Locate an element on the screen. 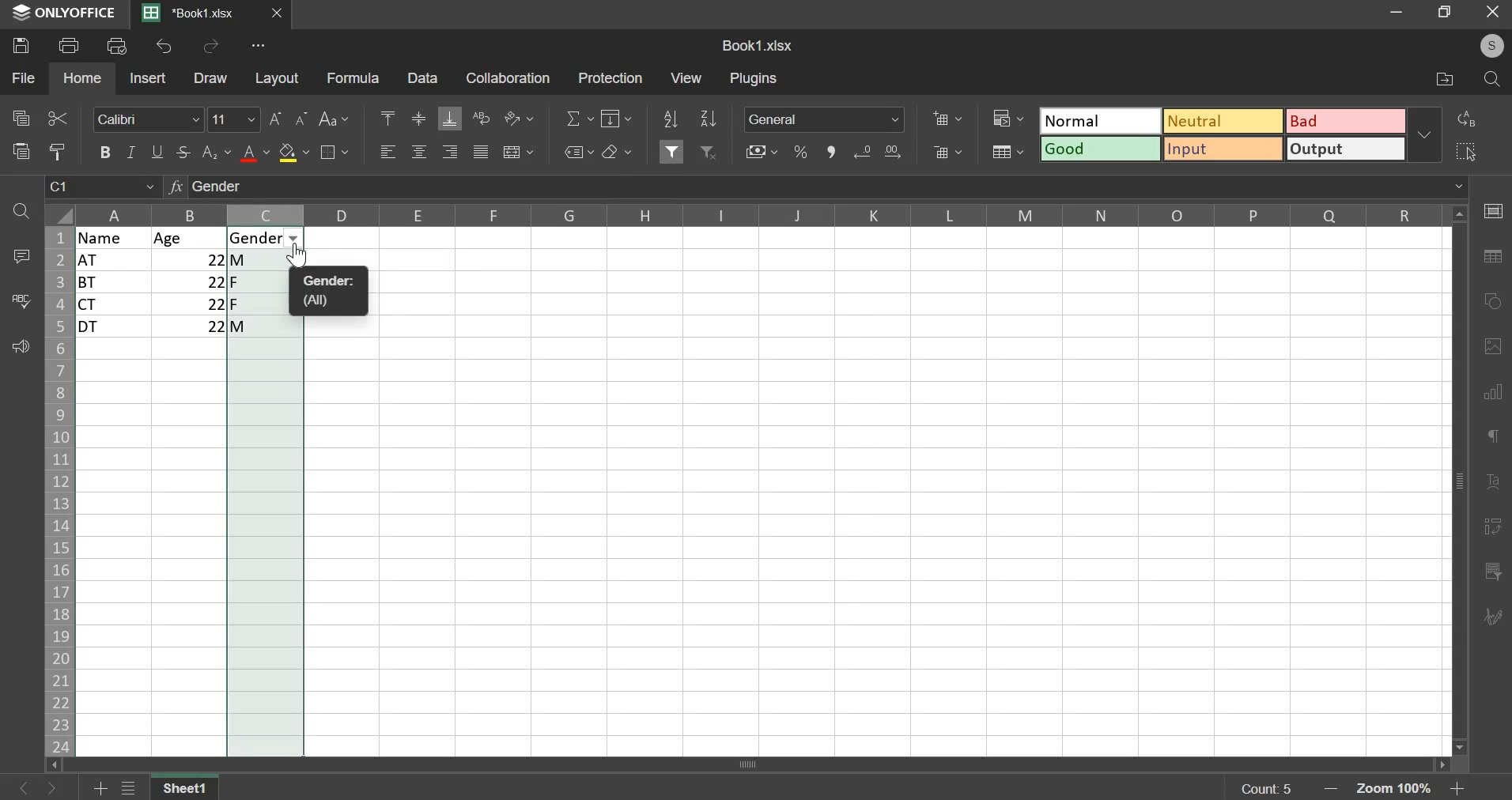 Image resolution: width=1512 pixels, height=800 pixels. previous is located at coordinates (58, 787).